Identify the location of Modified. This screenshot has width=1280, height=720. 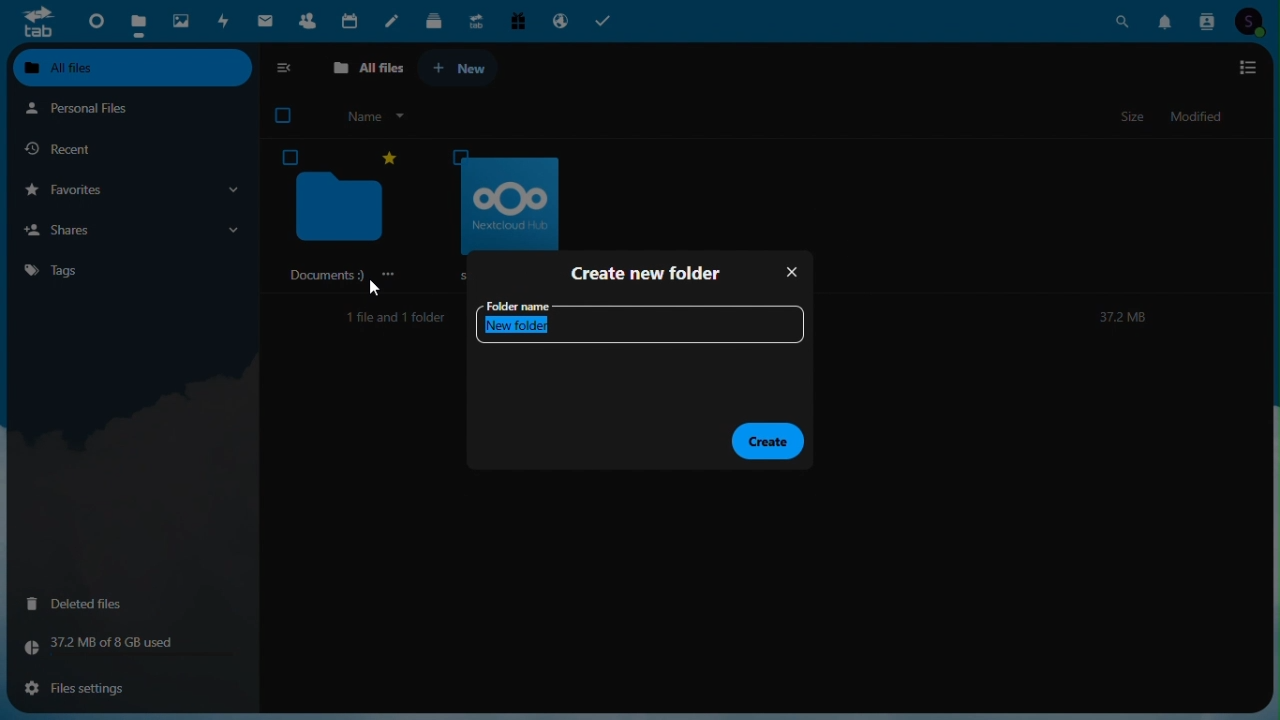
(1210, 118).